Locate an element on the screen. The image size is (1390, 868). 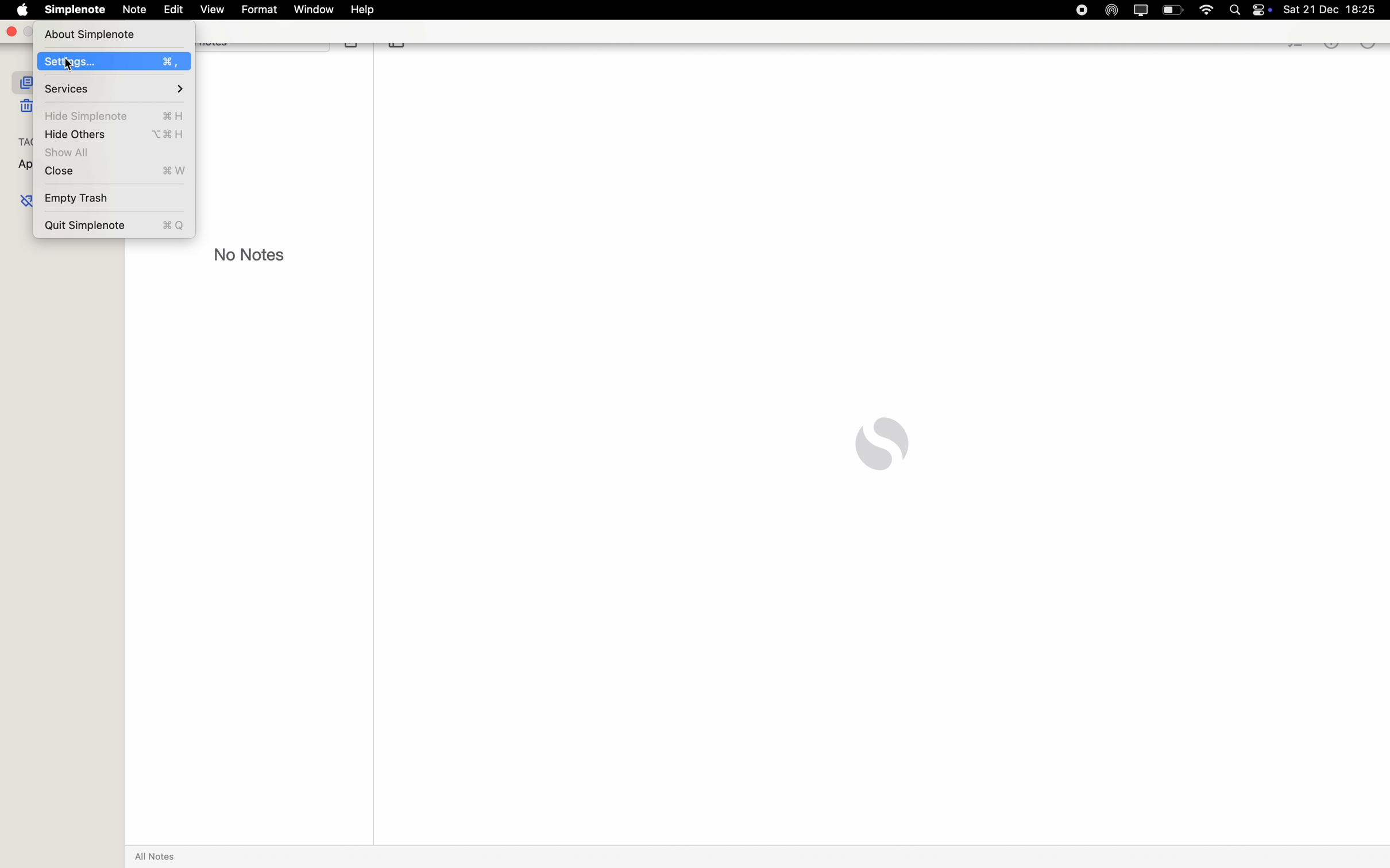
show all is located at coordinates (74, 152).